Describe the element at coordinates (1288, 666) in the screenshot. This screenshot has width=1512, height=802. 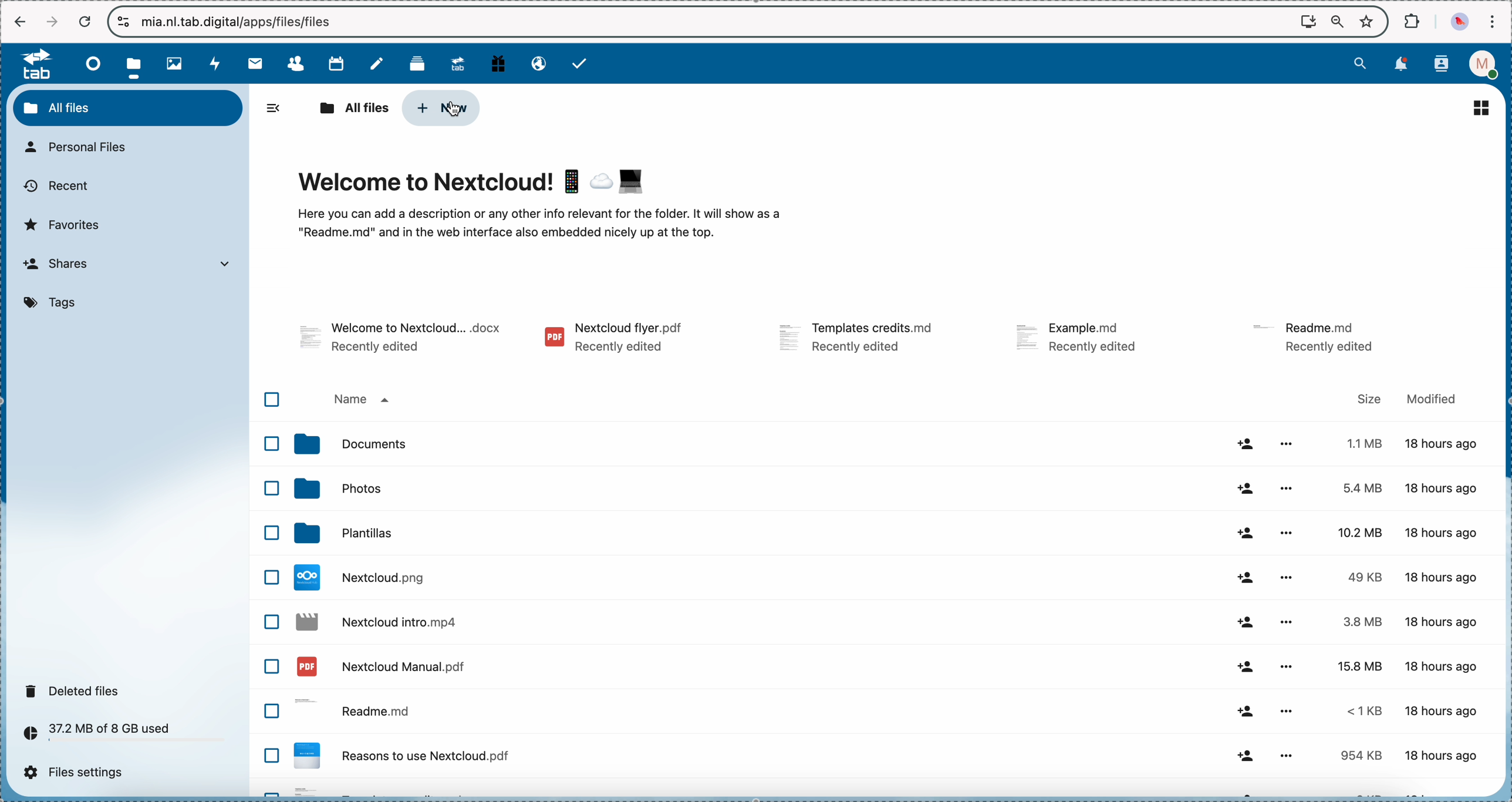
I see `more options` at that location.